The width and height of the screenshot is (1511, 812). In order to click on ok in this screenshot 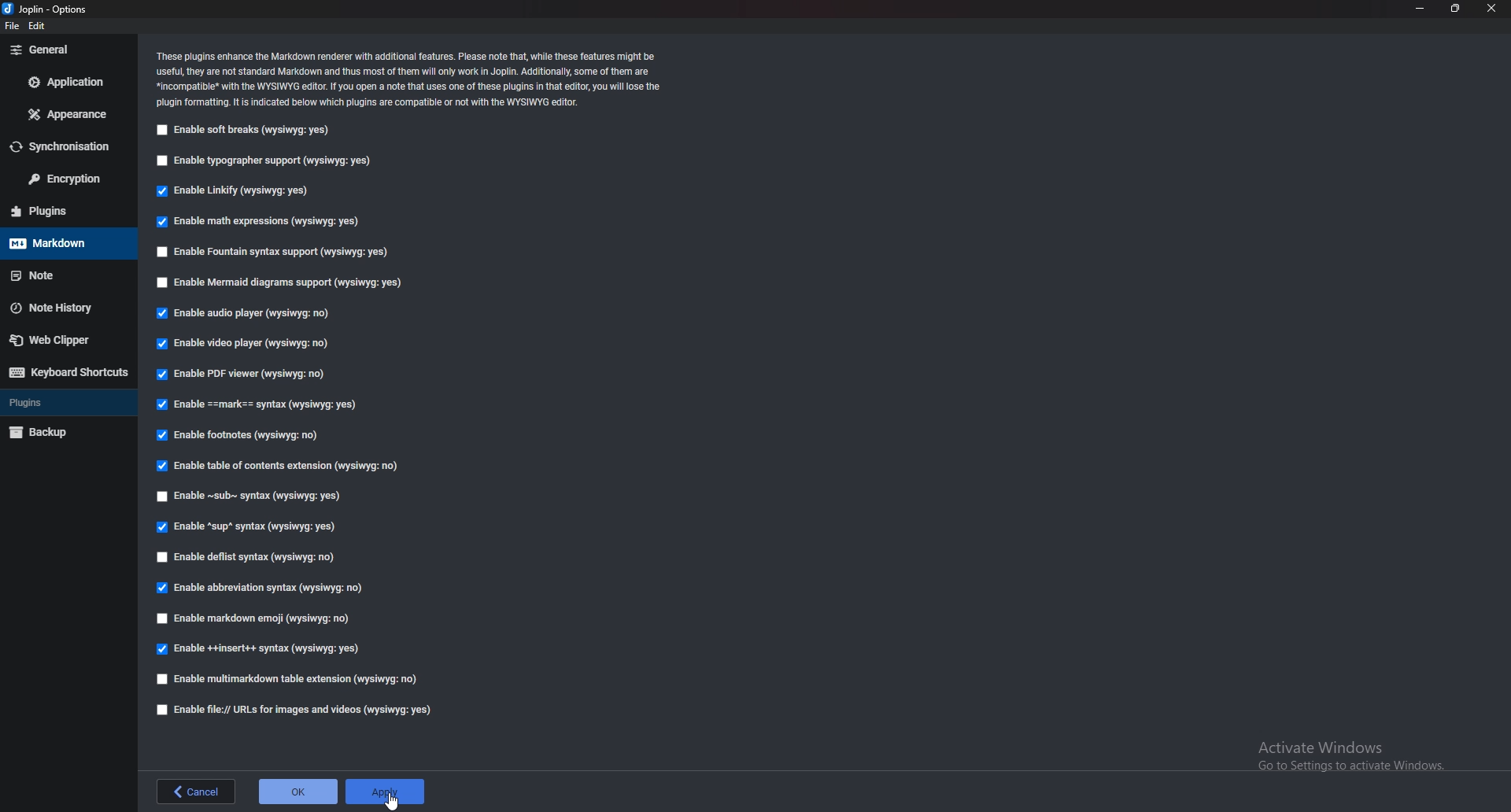, I will do `click(297, 791)`.